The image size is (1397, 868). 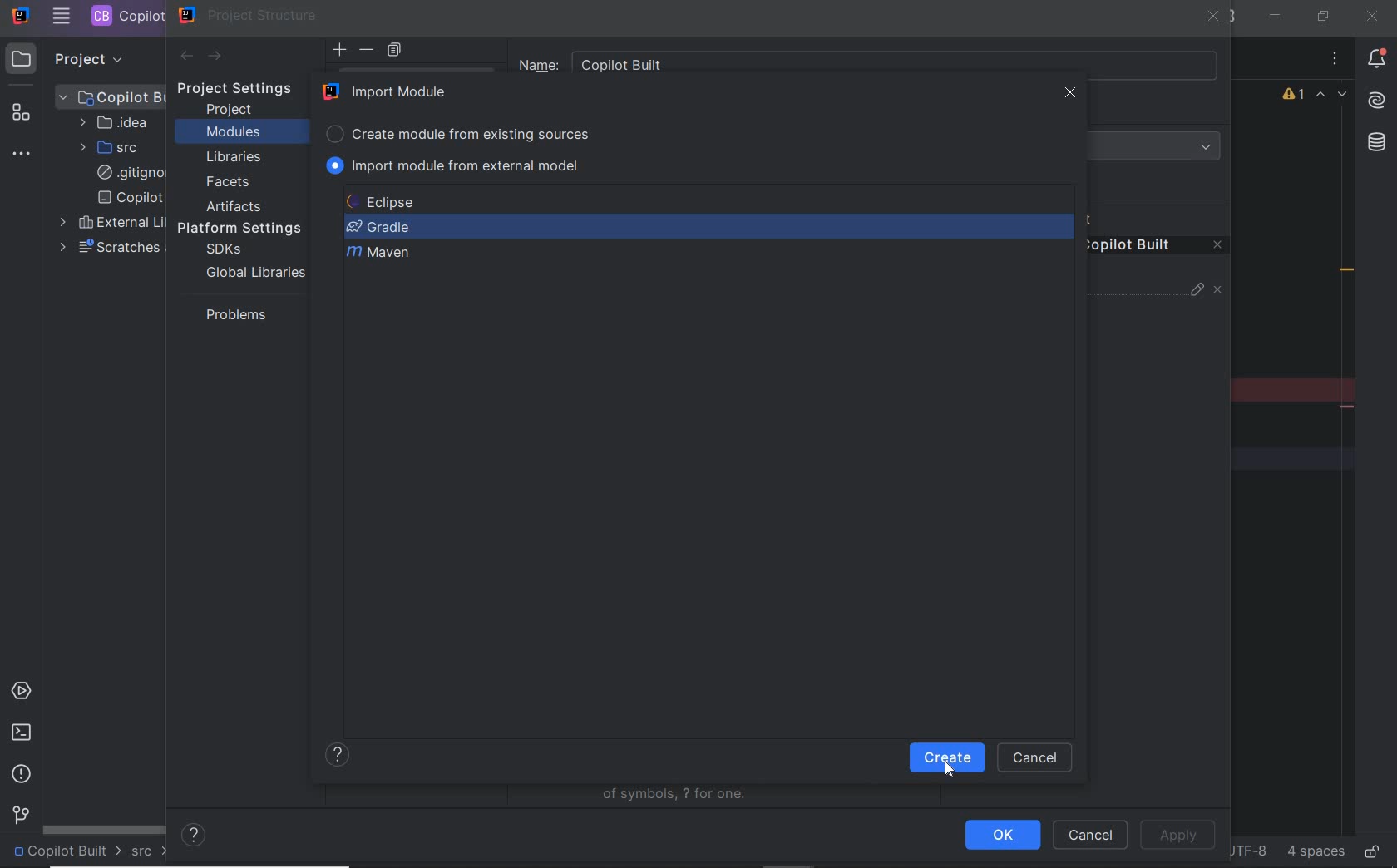 I want to click on copilot built.iml, so click(x=130, y=198).